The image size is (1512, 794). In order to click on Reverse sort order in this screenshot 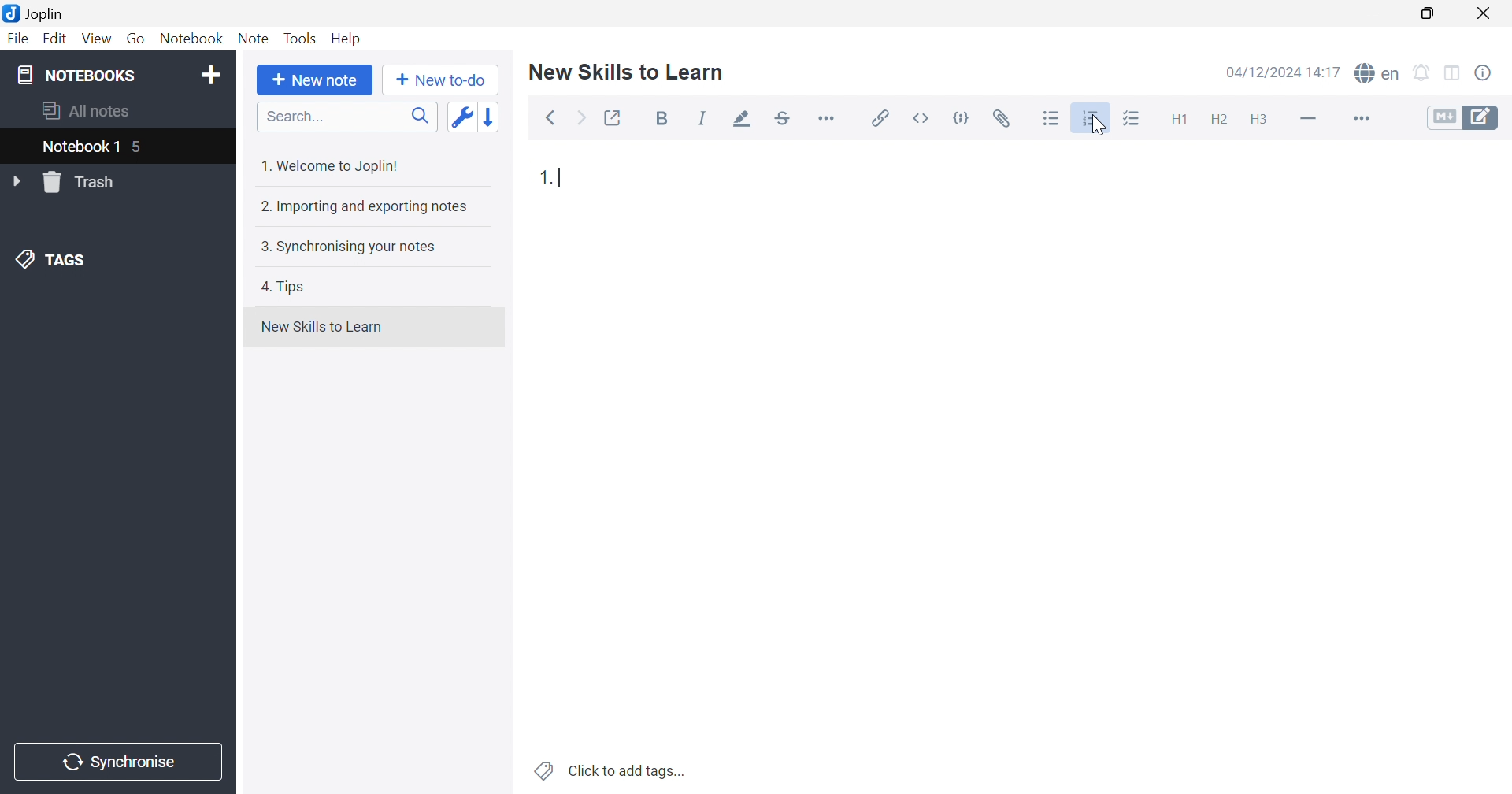, I will do `click(492, 117)`.